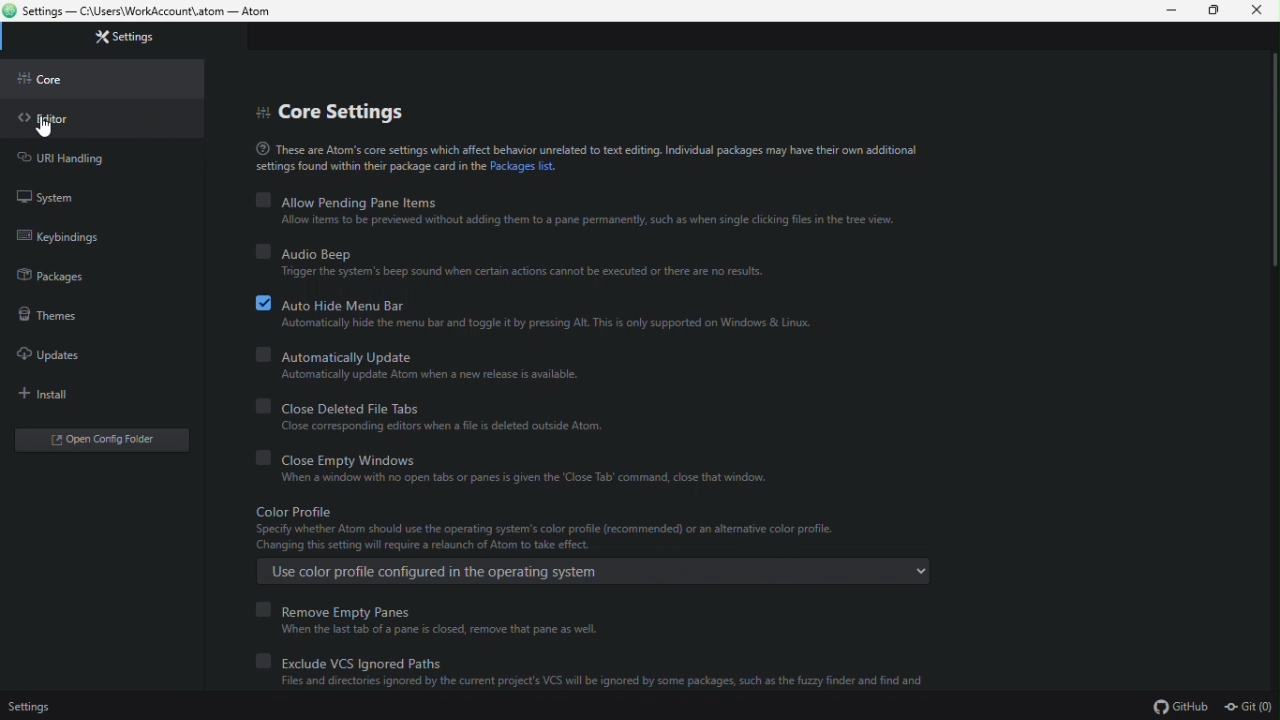  I want to click on off, so click(258, 200).